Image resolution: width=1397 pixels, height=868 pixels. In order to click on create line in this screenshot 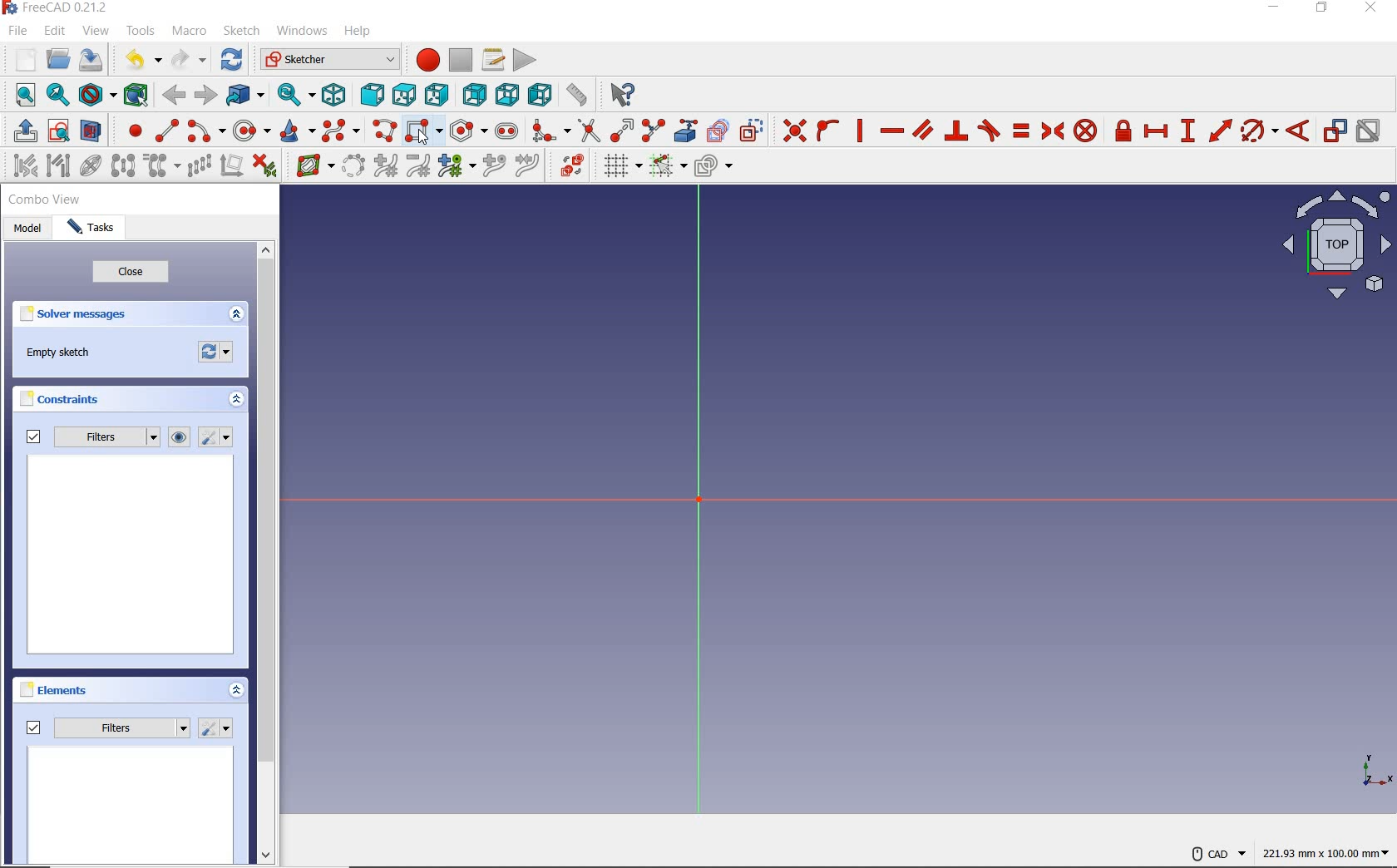, I will do `click(164, 130)`.